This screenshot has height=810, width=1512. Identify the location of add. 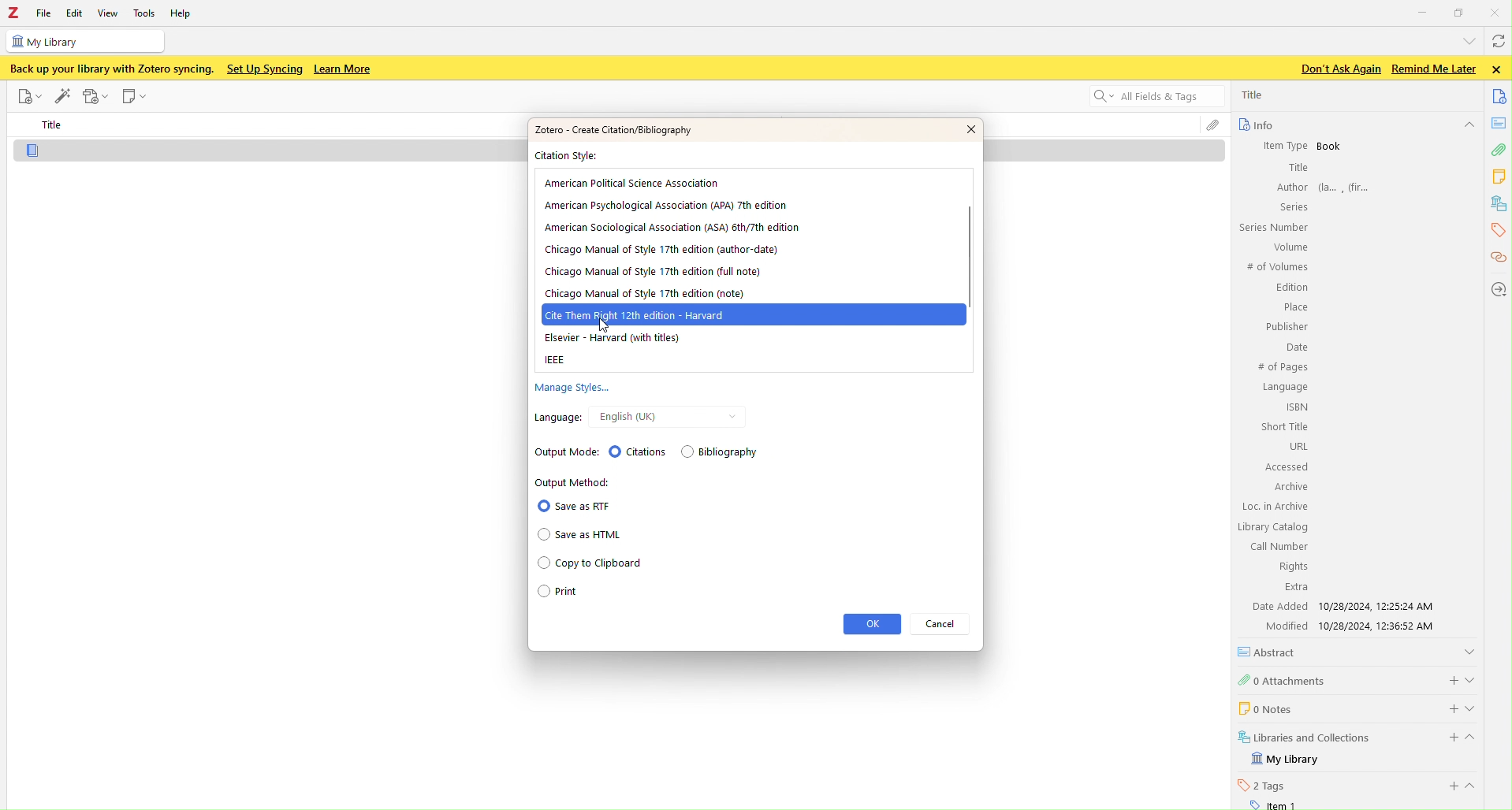
(1447, 738).